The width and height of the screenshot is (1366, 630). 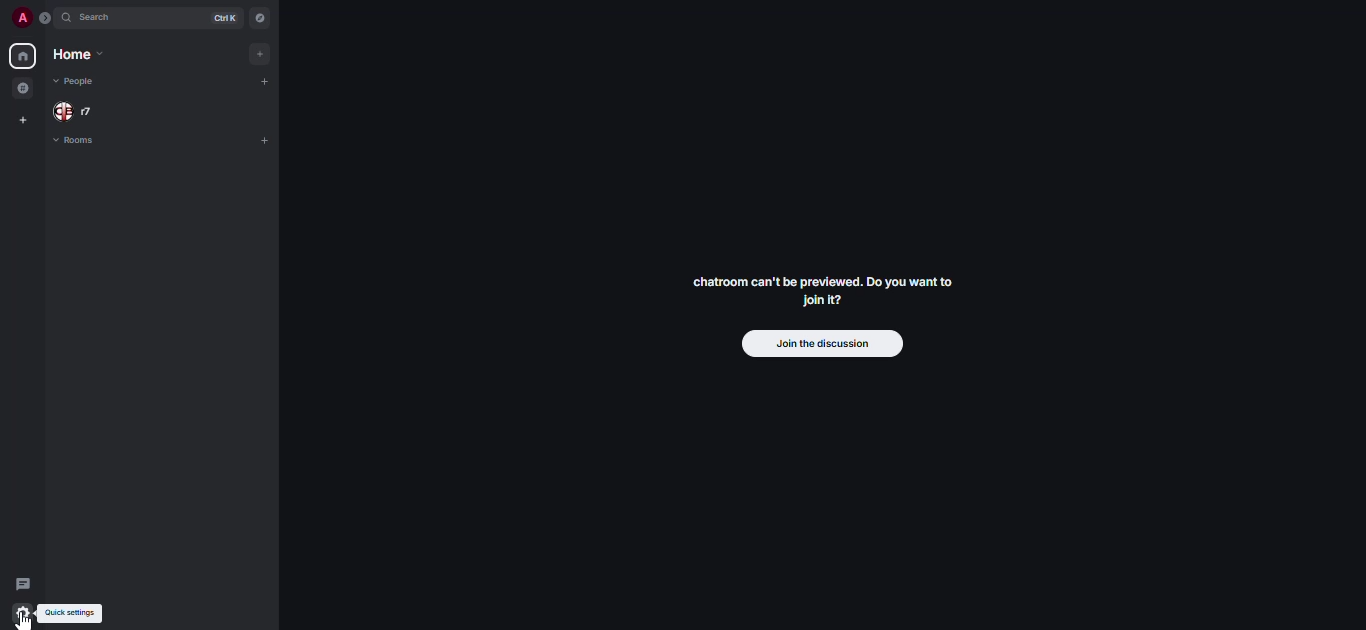 What do you see at coordinates (257, 53) in the screenshot?
I see `add` at bounding box center [257, 53].